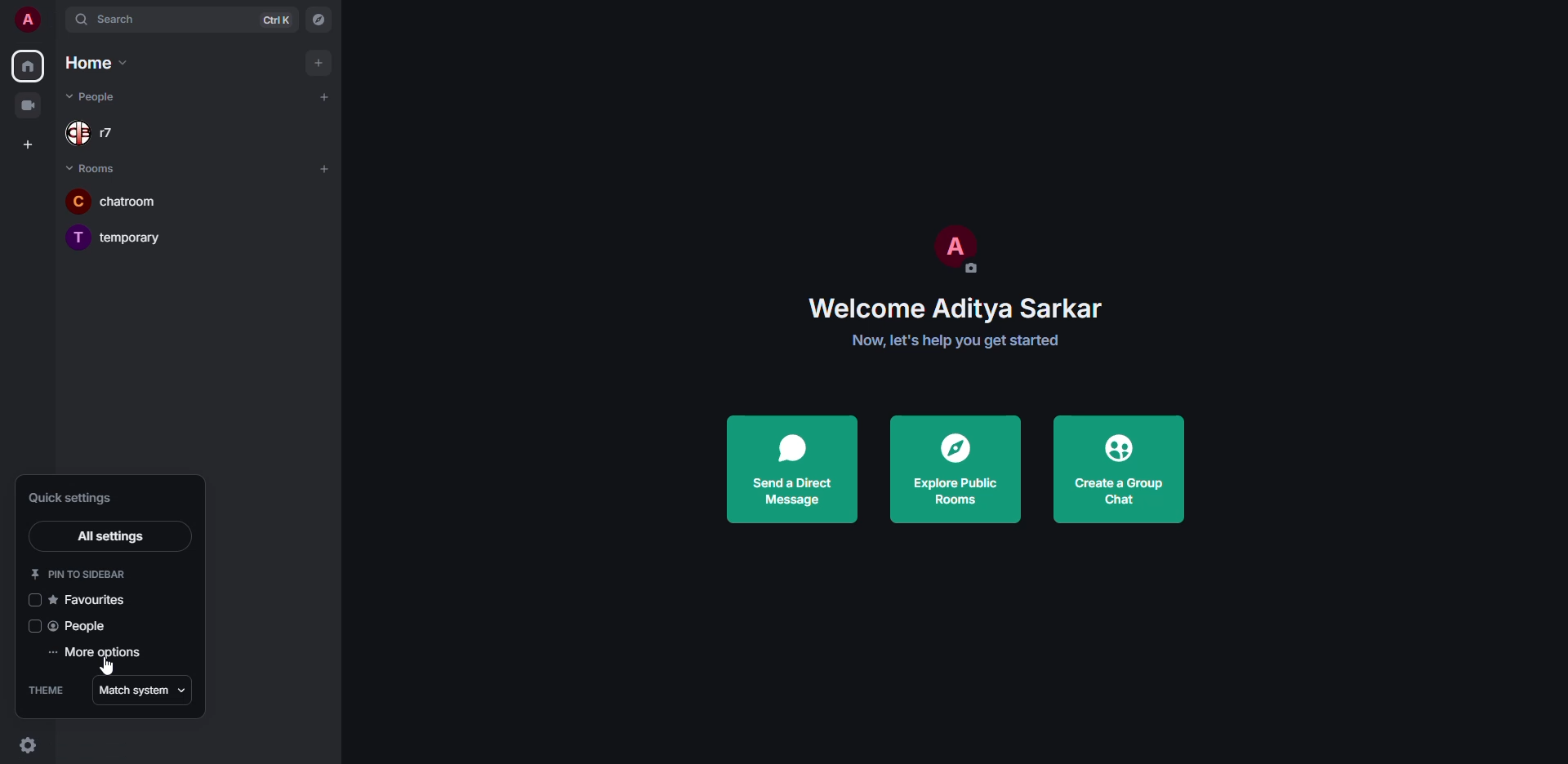 The image size is (1568, 764). What do you see at coordinates (36, 748) in the screenshot?
I see `quick settings` at bounding box center [36, 748].